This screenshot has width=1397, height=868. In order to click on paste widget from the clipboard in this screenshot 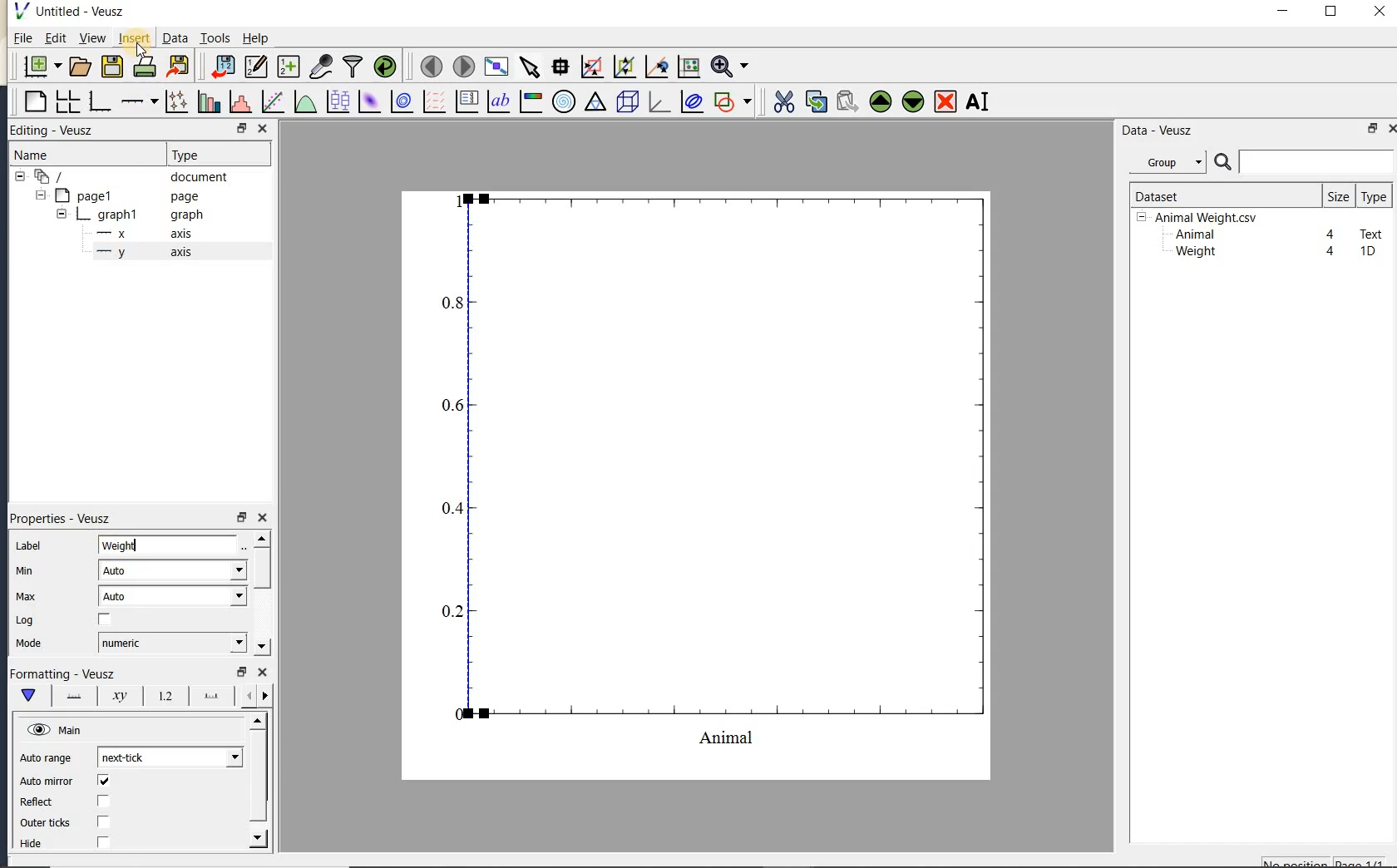, I will do `click(847, 103)`.